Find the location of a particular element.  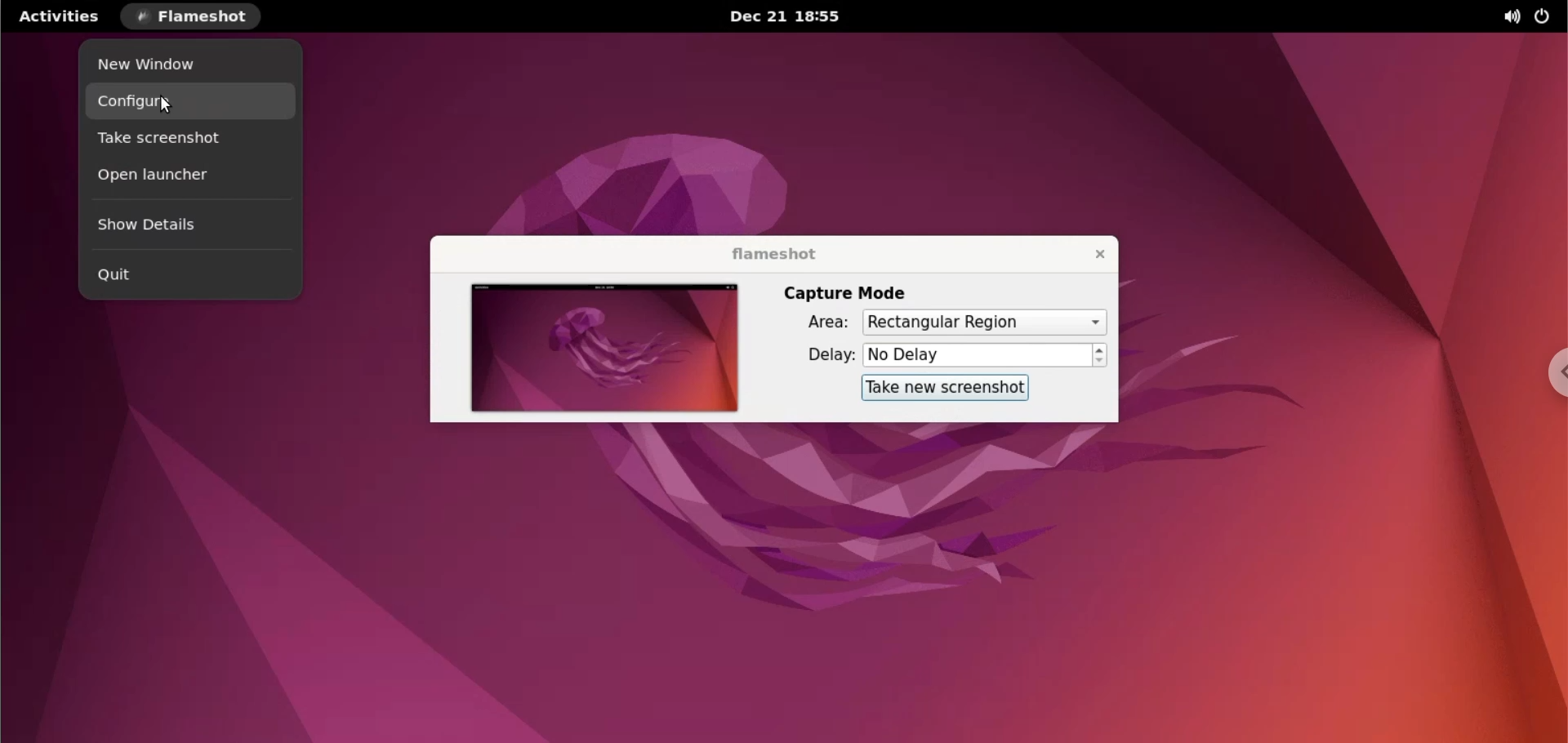

flameshot is located at coordinates (773, 258).